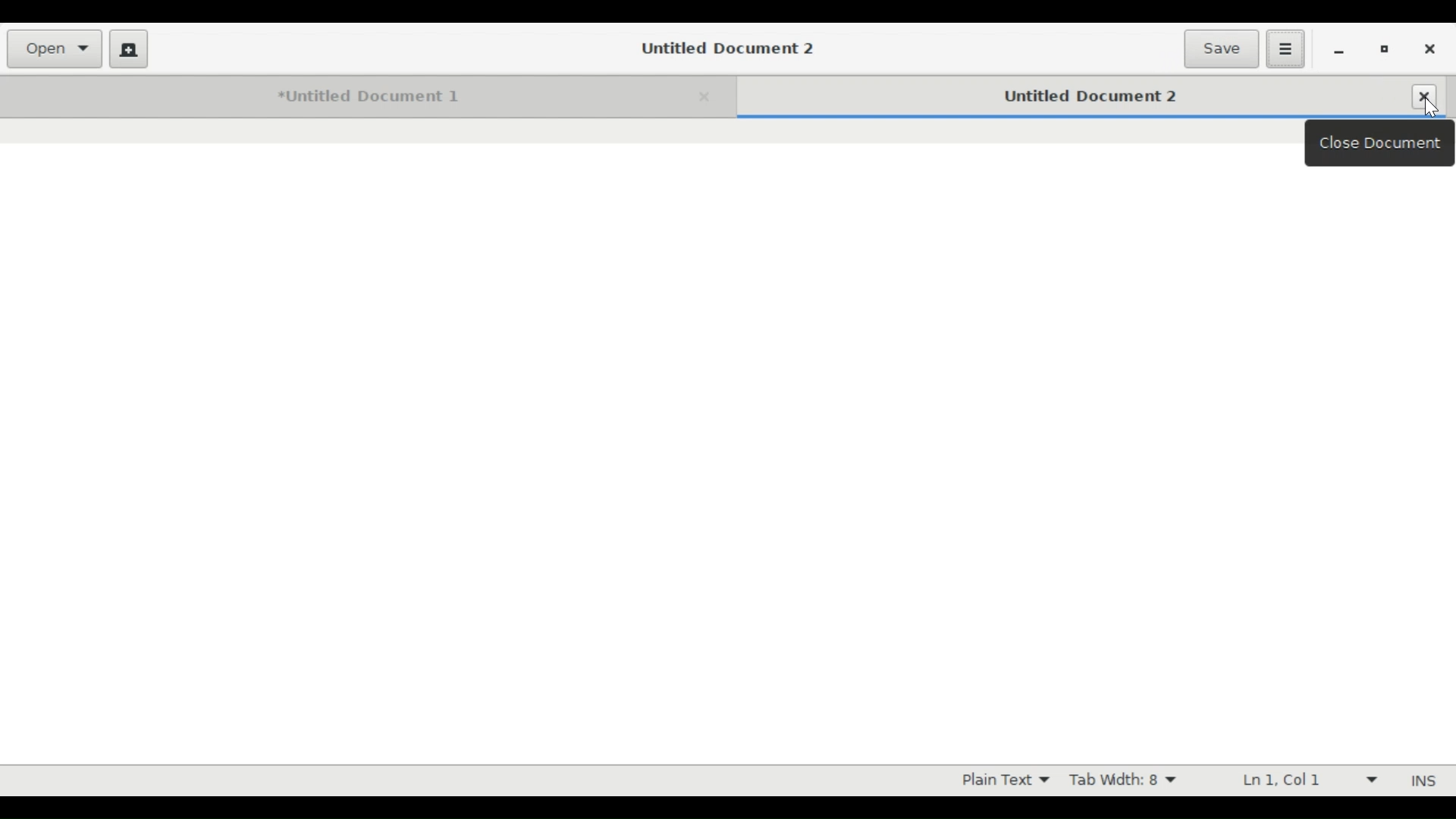 This screenshot has height=819, width=1456. Describe the element at coordinates (1384, 49) in the screenshot. I see `restore` at that location.